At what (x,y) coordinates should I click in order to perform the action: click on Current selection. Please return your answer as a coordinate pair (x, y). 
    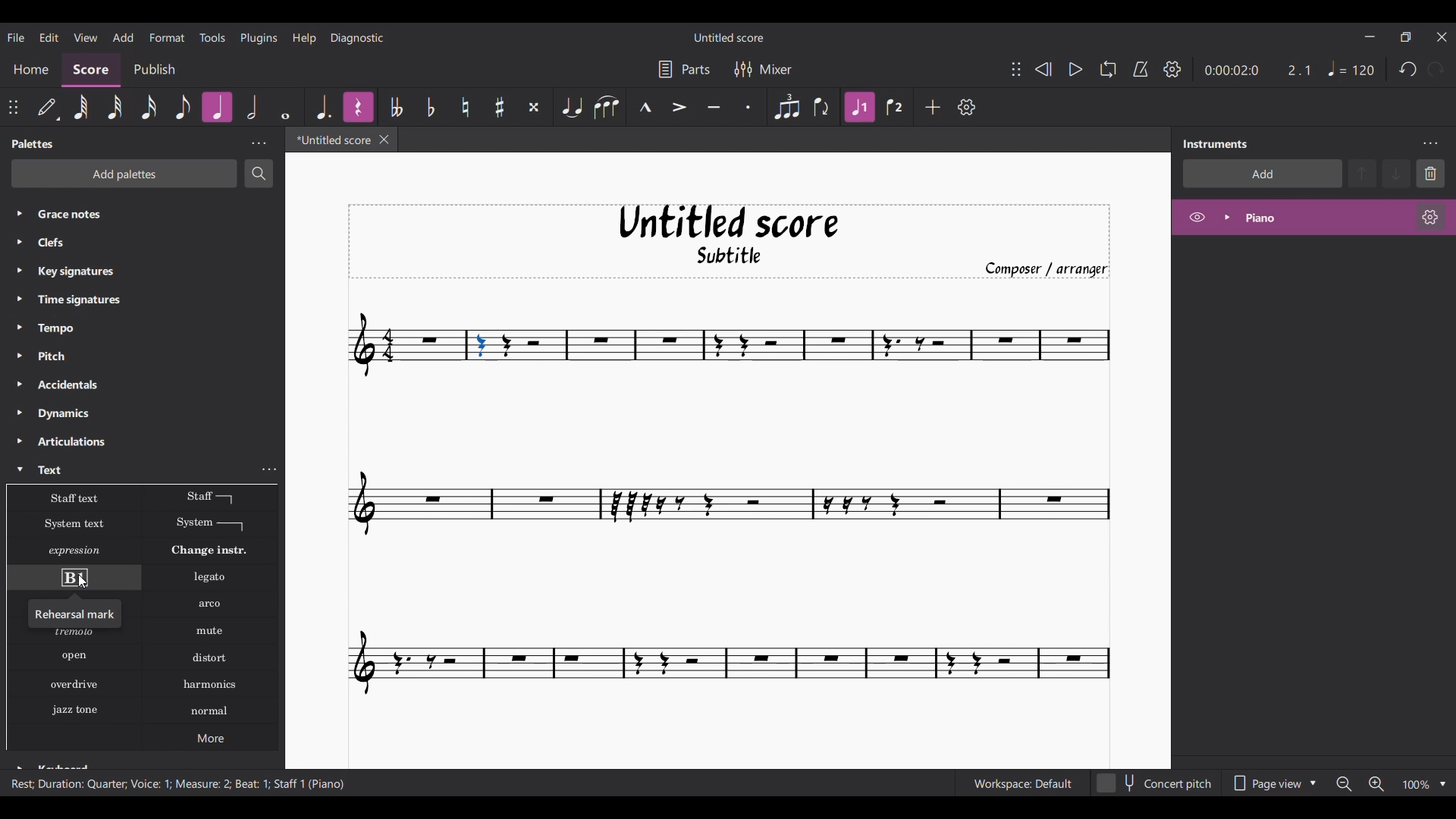
    Looking at the image, I should click on (481, 345).